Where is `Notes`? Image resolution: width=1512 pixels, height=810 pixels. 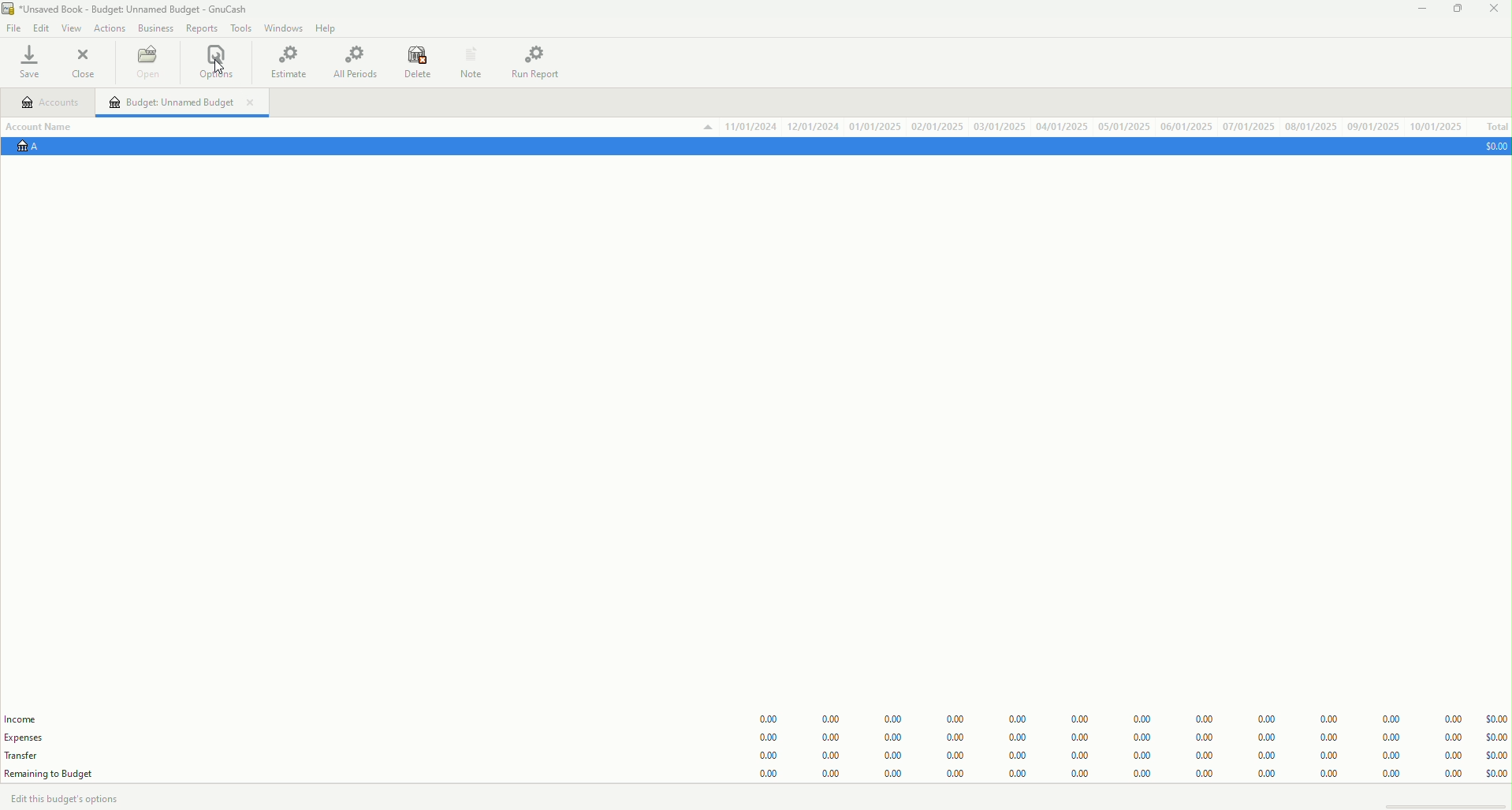 Notes is located at coordinates (469, 61).